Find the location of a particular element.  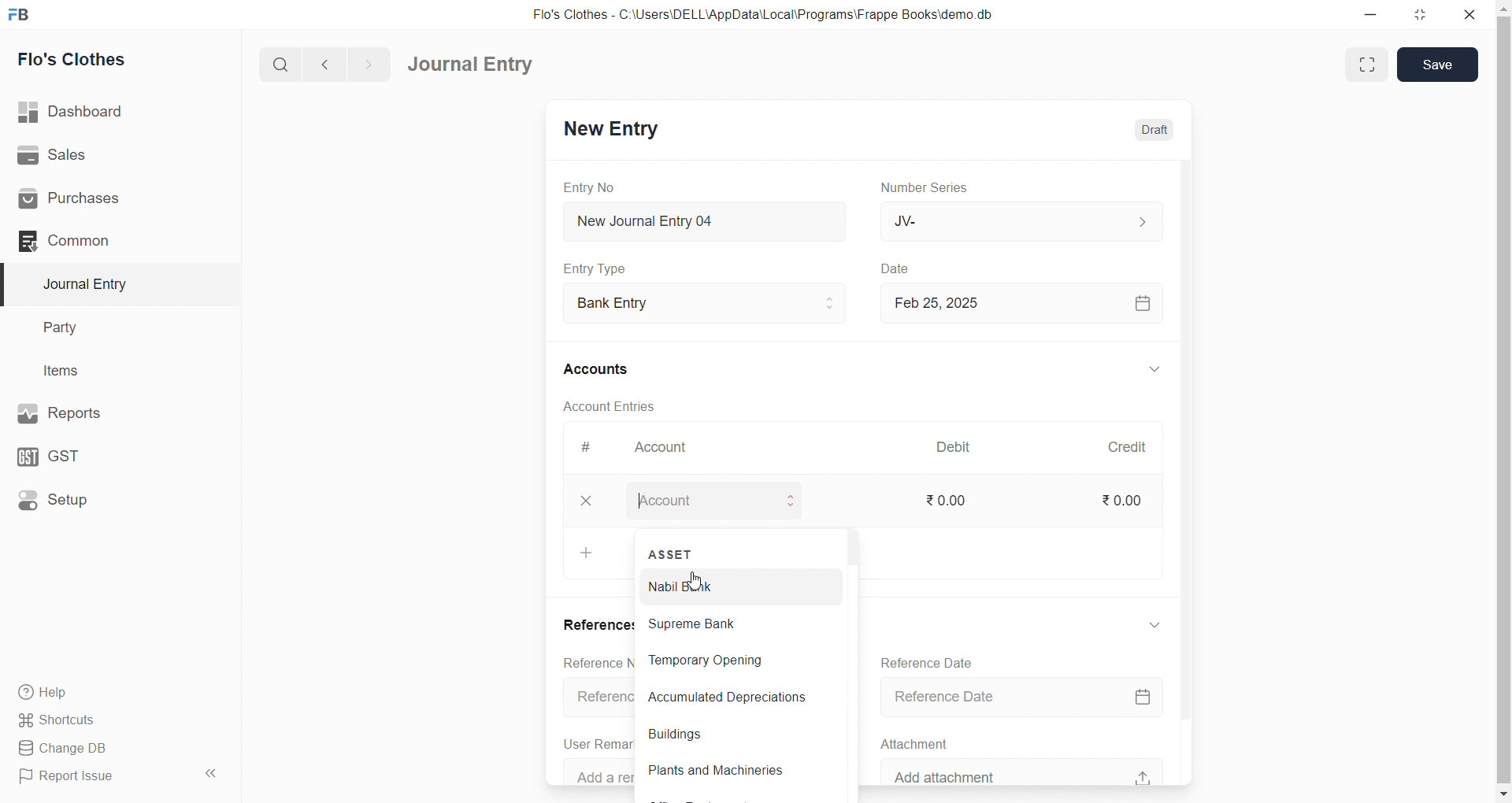

Shortcuts is located at coordinates (115, 719).